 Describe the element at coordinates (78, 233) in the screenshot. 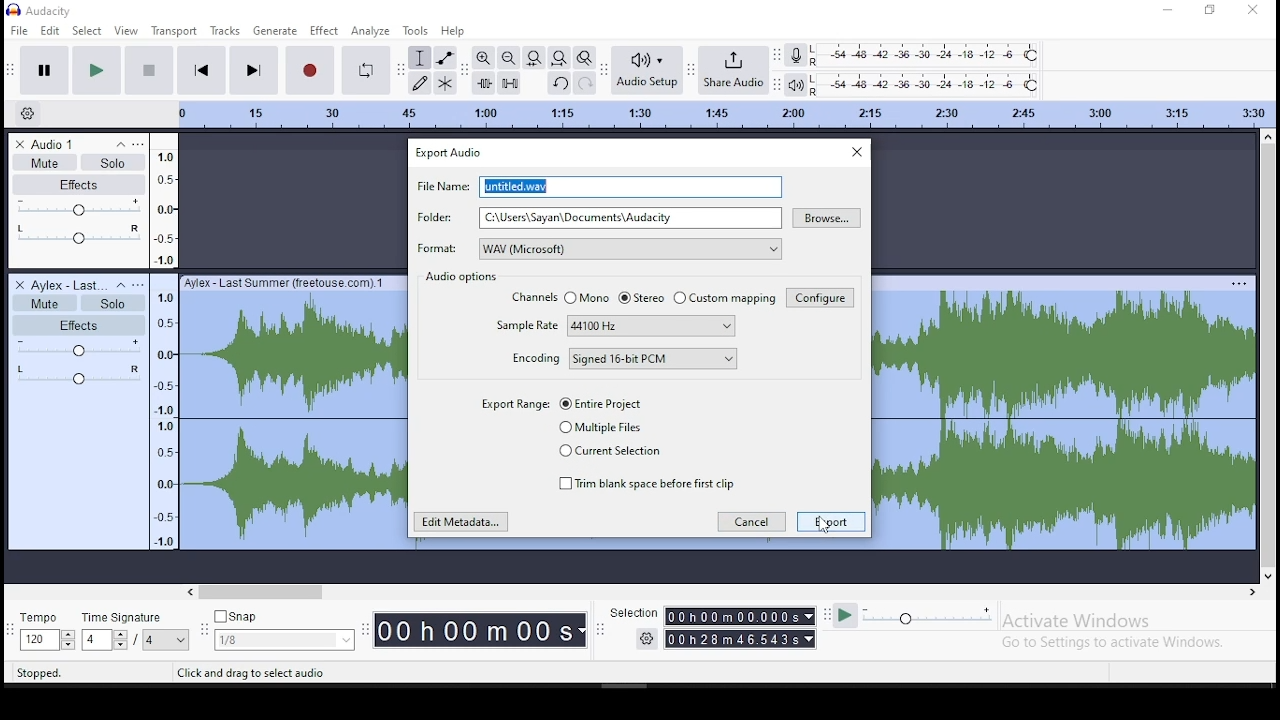

I see `pan` at that location.